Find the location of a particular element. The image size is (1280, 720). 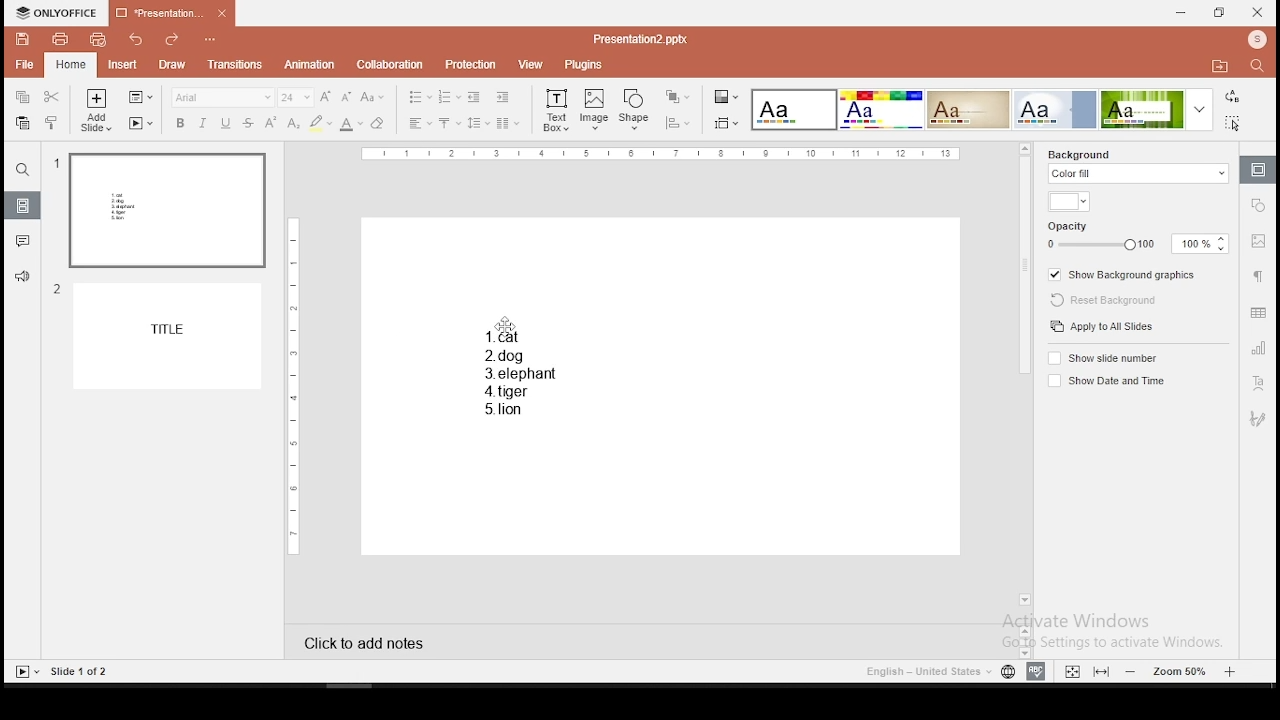

slide 1 is located at coordinates (168, 335).